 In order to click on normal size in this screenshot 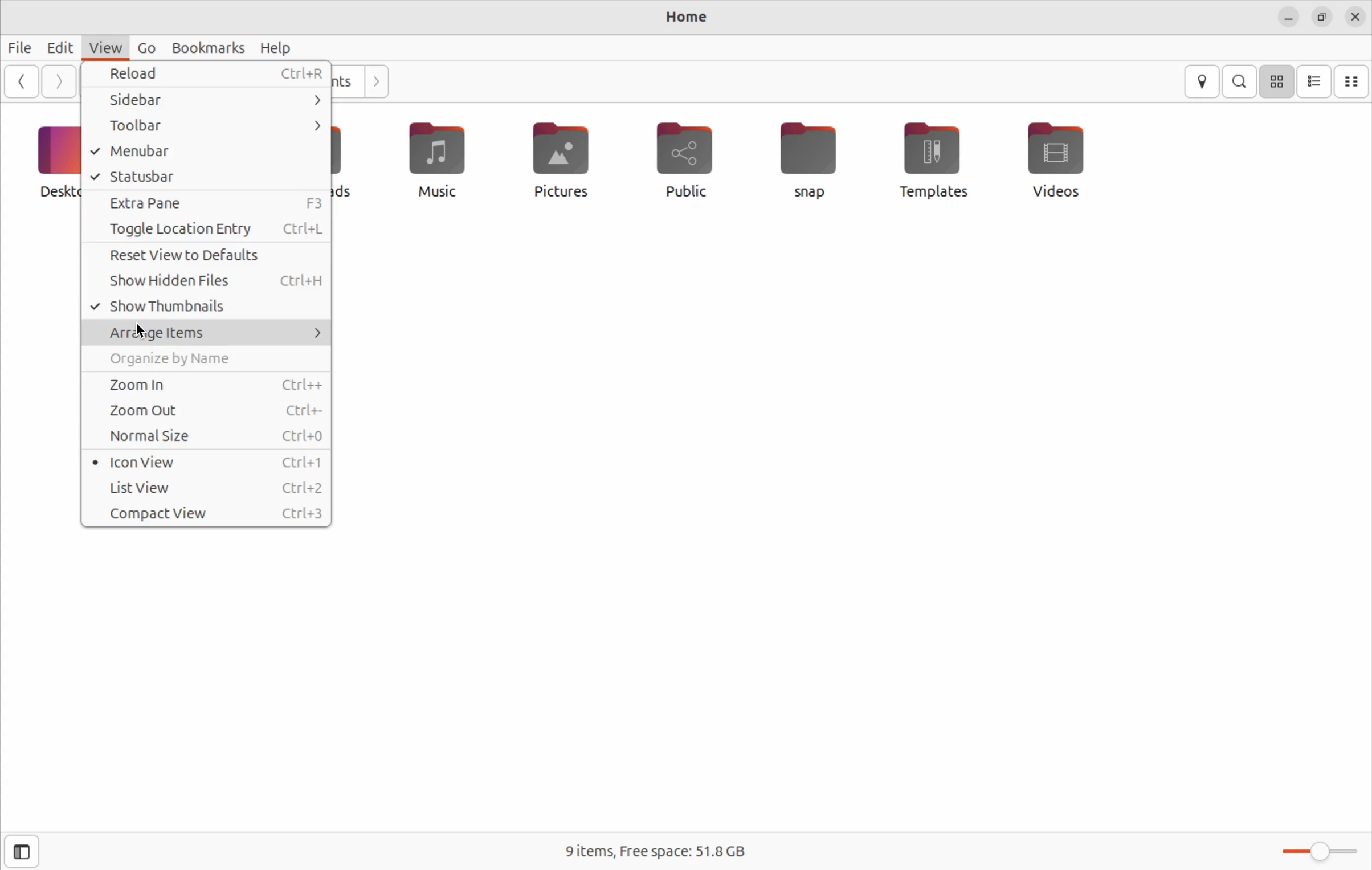, I will do `click(210, 437)`.